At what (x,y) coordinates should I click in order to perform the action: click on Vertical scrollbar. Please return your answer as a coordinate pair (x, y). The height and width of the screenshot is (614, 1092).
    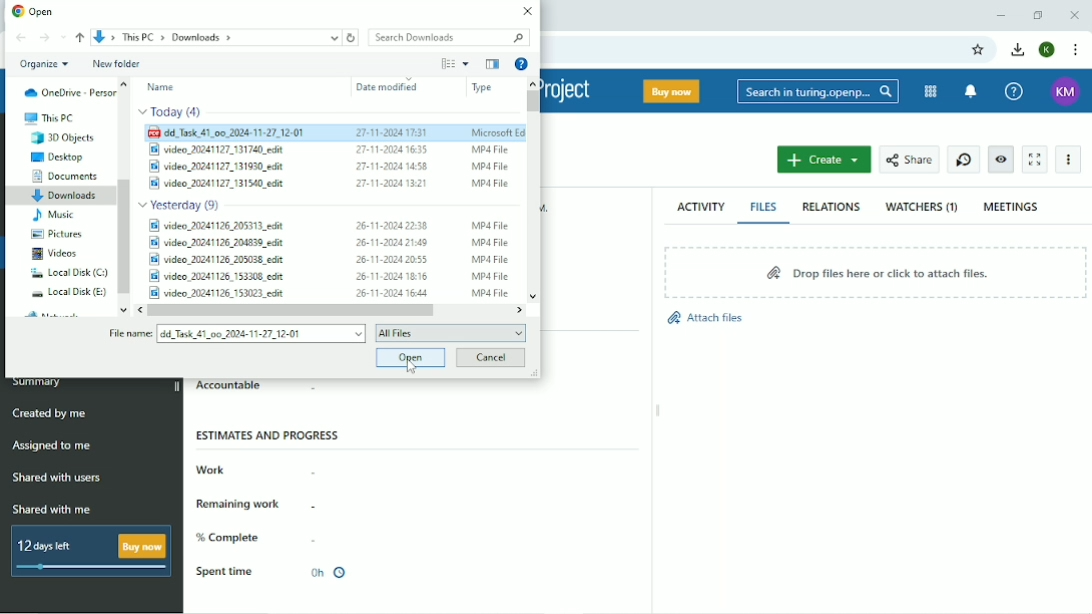
    Looking at the image, I should click on (124, 235).